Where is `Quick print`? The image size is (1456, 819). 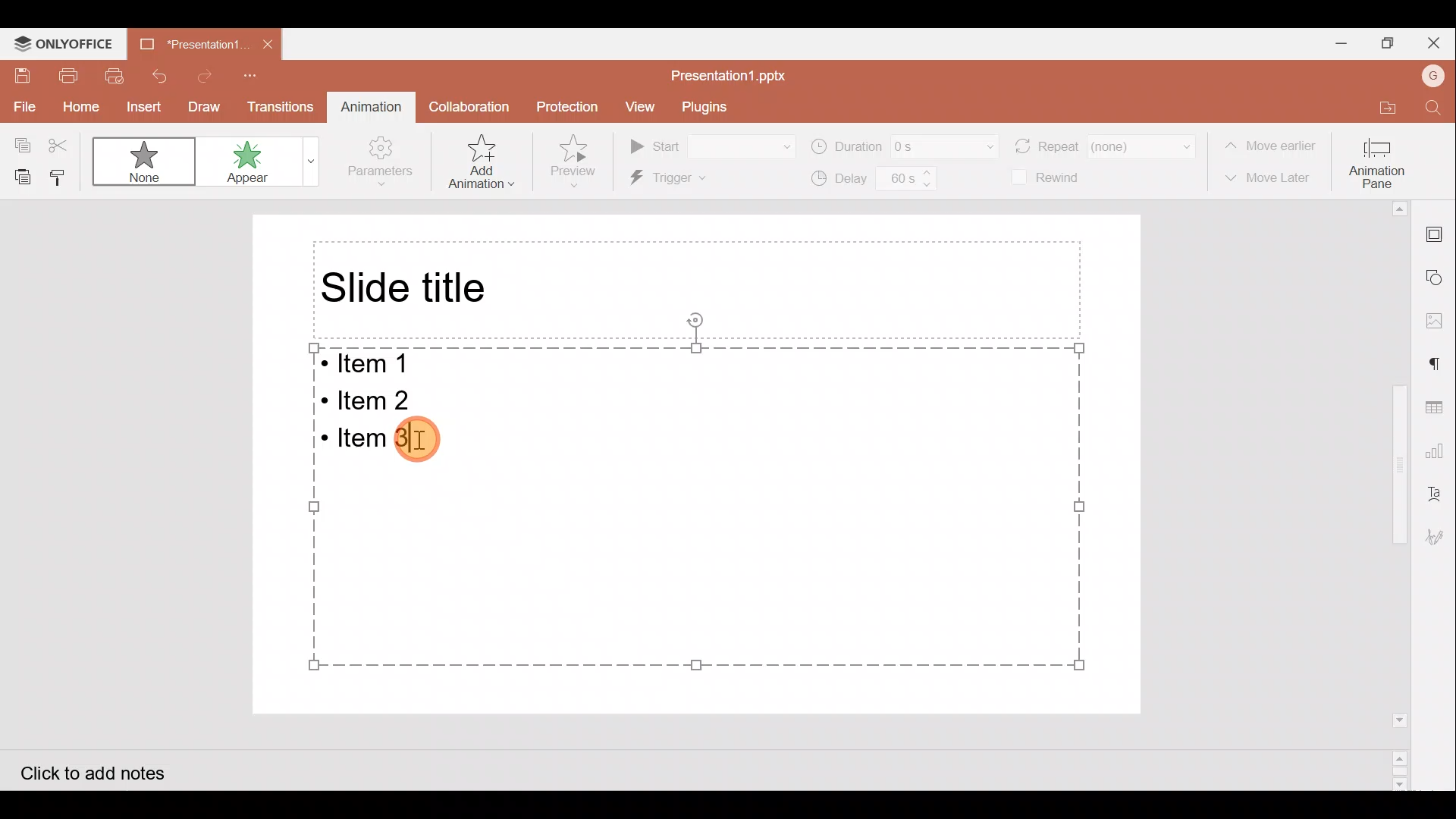
Quick print is located at coordinates (115, 74).